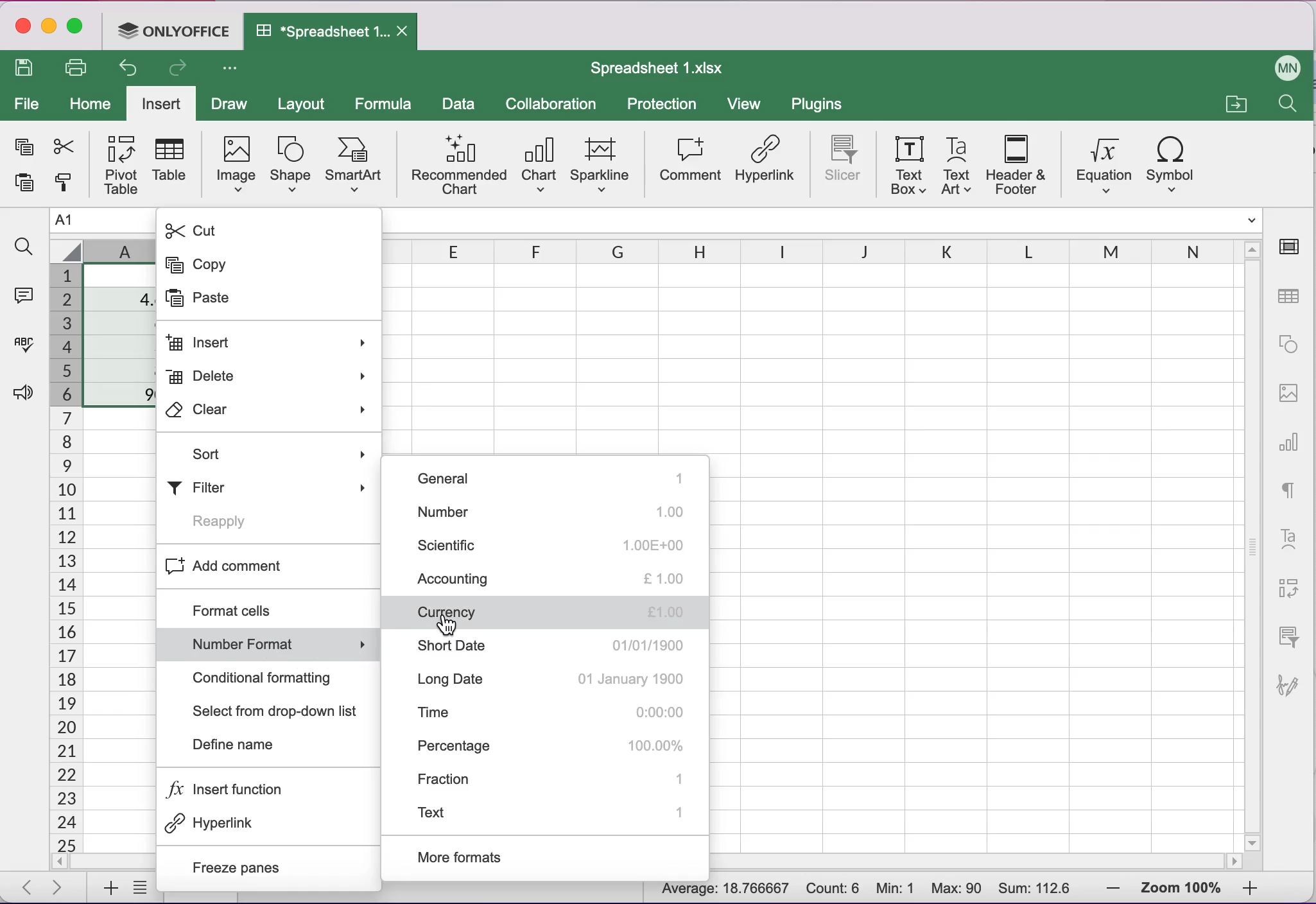 The width and height of the screenshot is (1316, 904). I want to click on header and footer, so click(1016, 165).